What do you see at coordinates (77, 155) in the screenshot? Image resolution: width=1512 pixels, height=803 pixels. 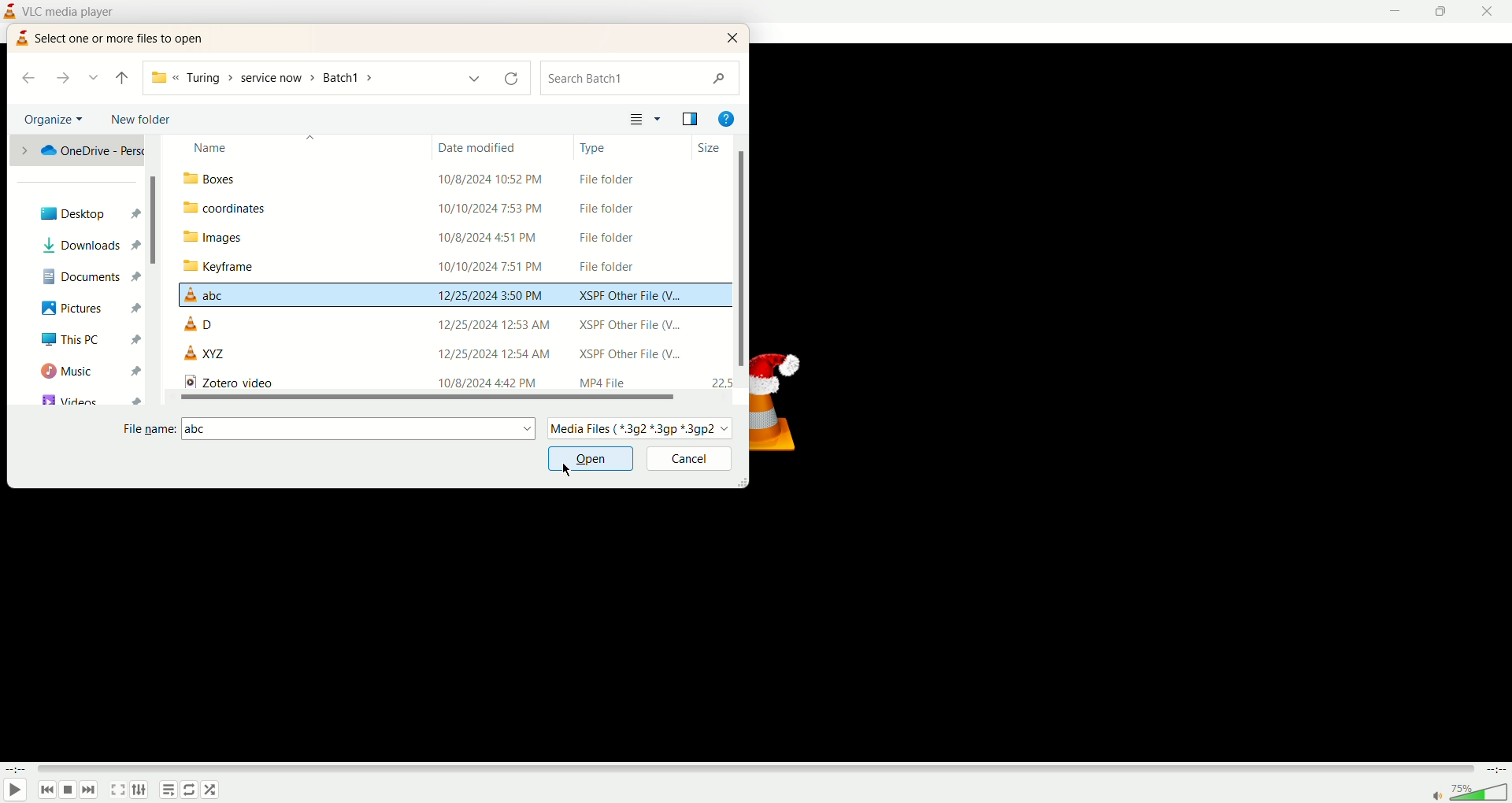 I see `location` at bounding box center [77, 155].